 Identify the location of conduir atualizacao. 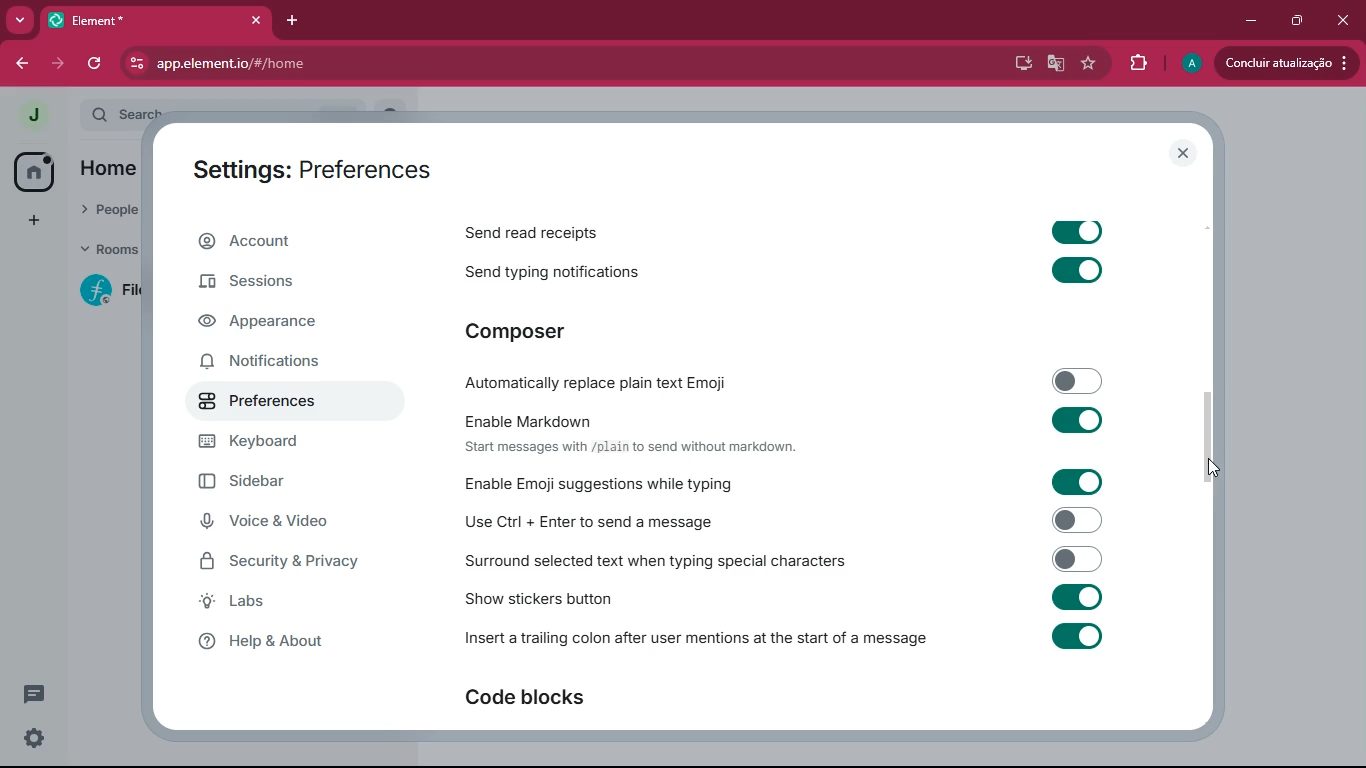
(1284, 64).